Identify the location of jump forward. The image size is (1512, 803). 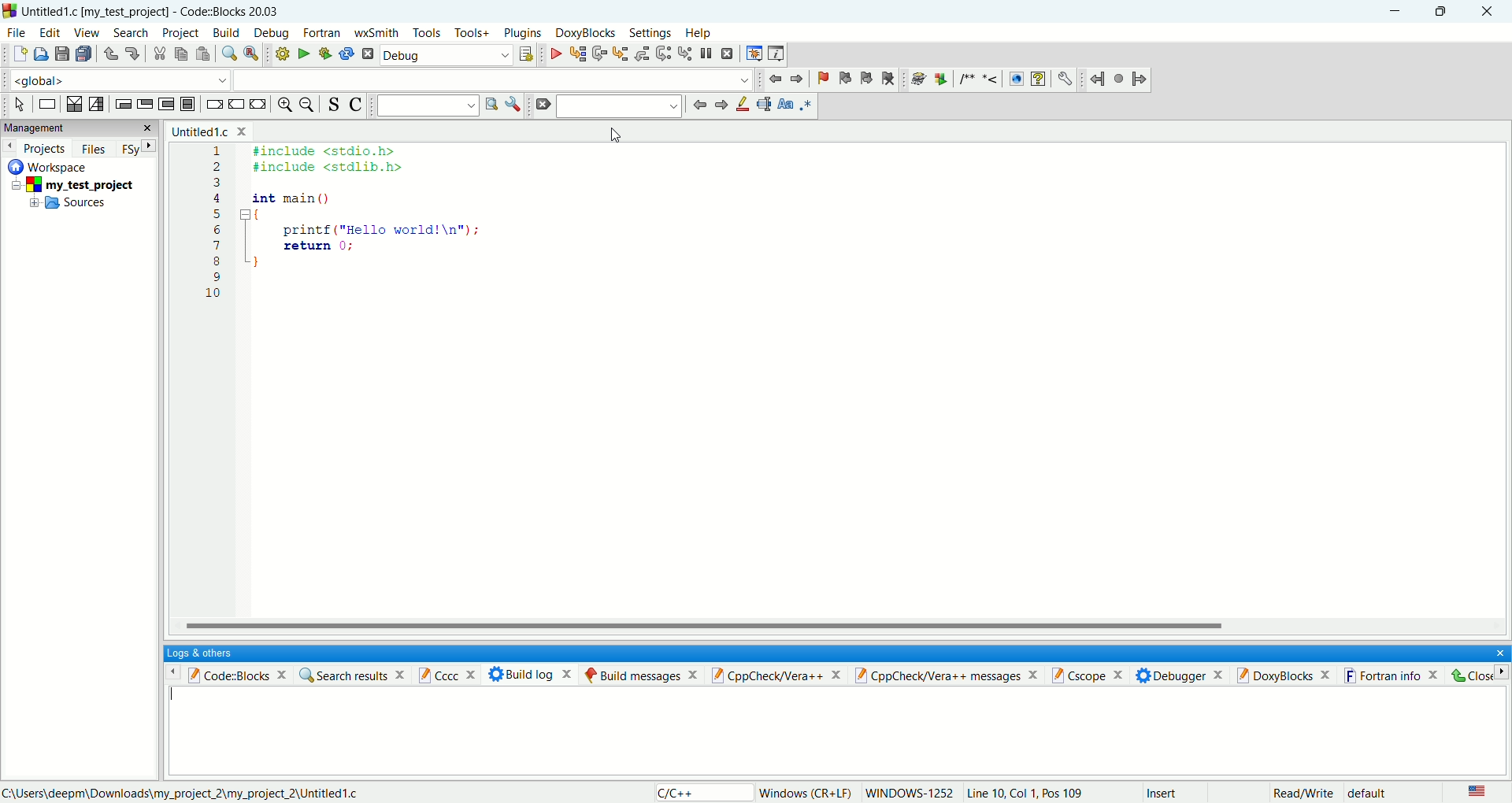
(721, 105).